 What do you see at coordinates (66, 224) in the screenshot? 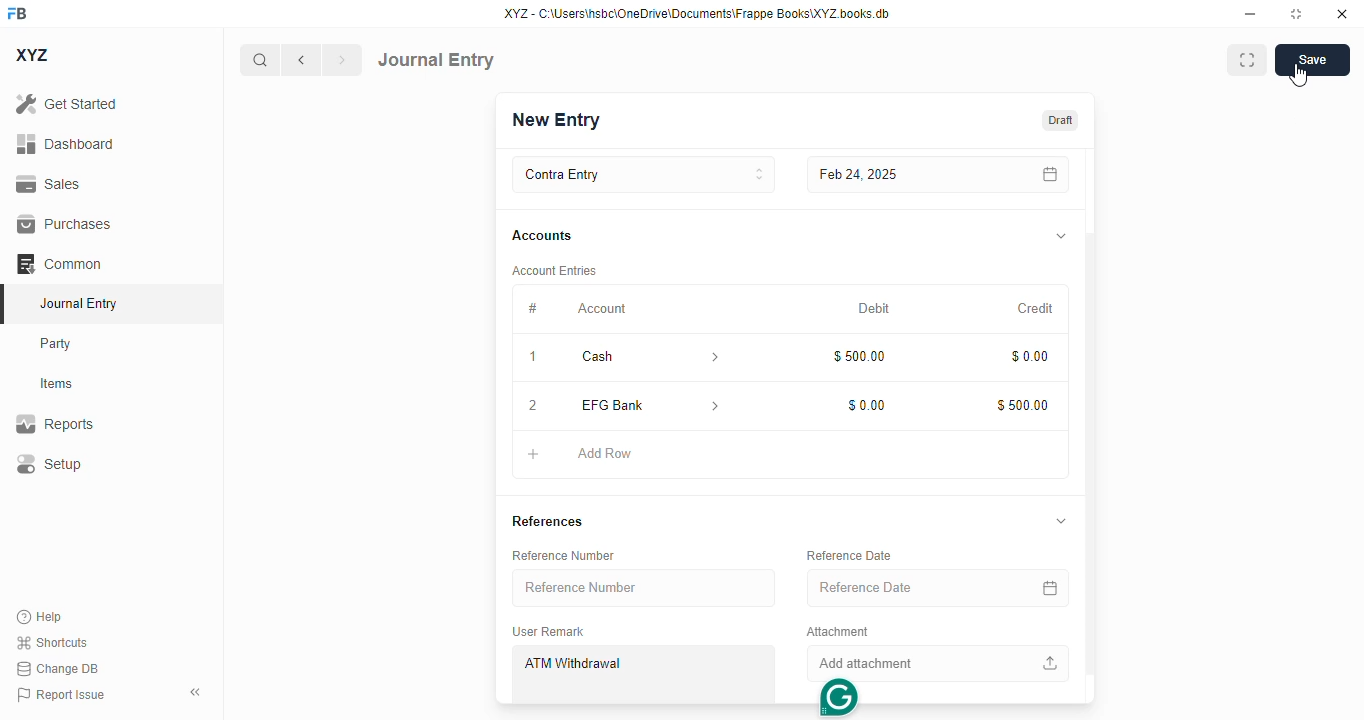
I see `purchases` at bounding box center [66, 224].